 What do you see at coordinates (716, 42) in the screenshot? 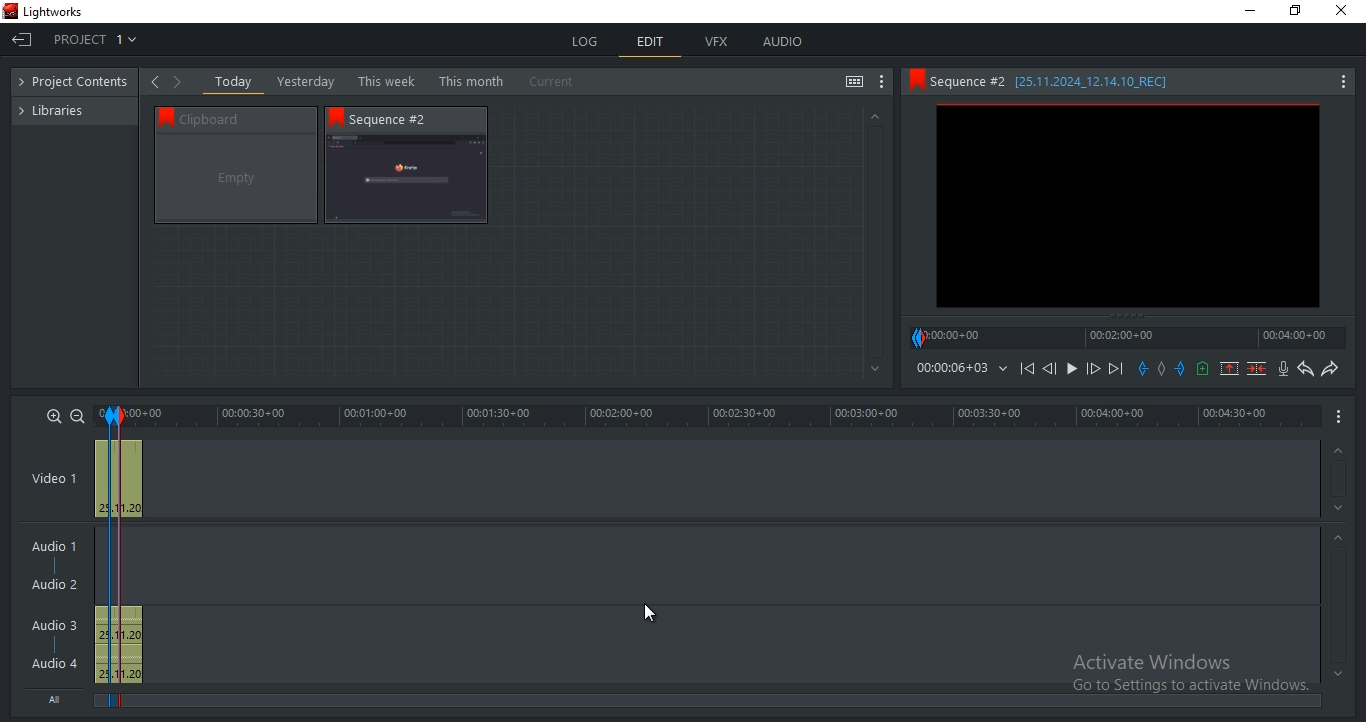
I see `vfx` at bounding box center [716, 42].